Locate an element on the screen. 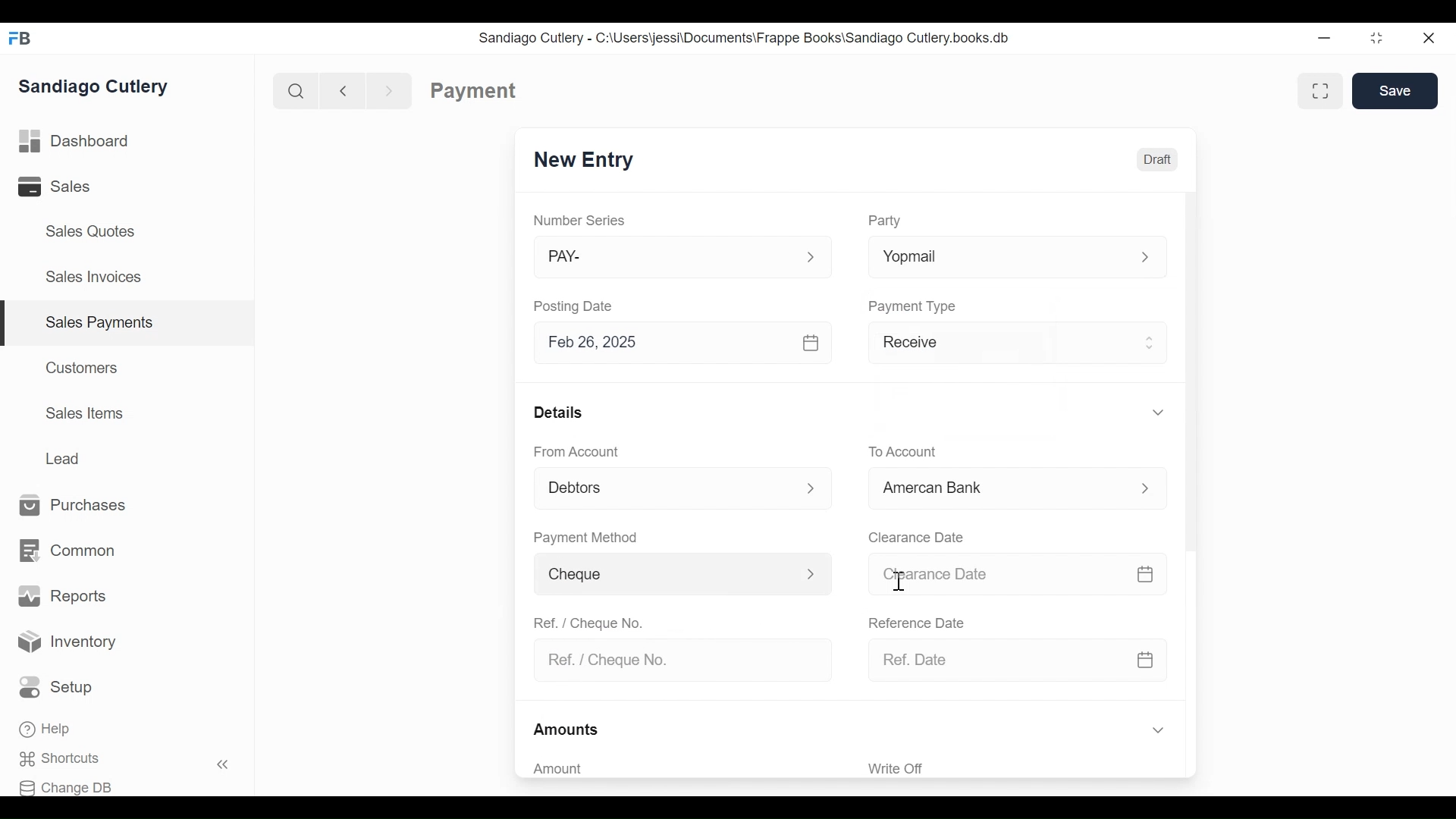 The width and height of the screenshot is (1456, 819). Cash is located at coordinates (996, 492).